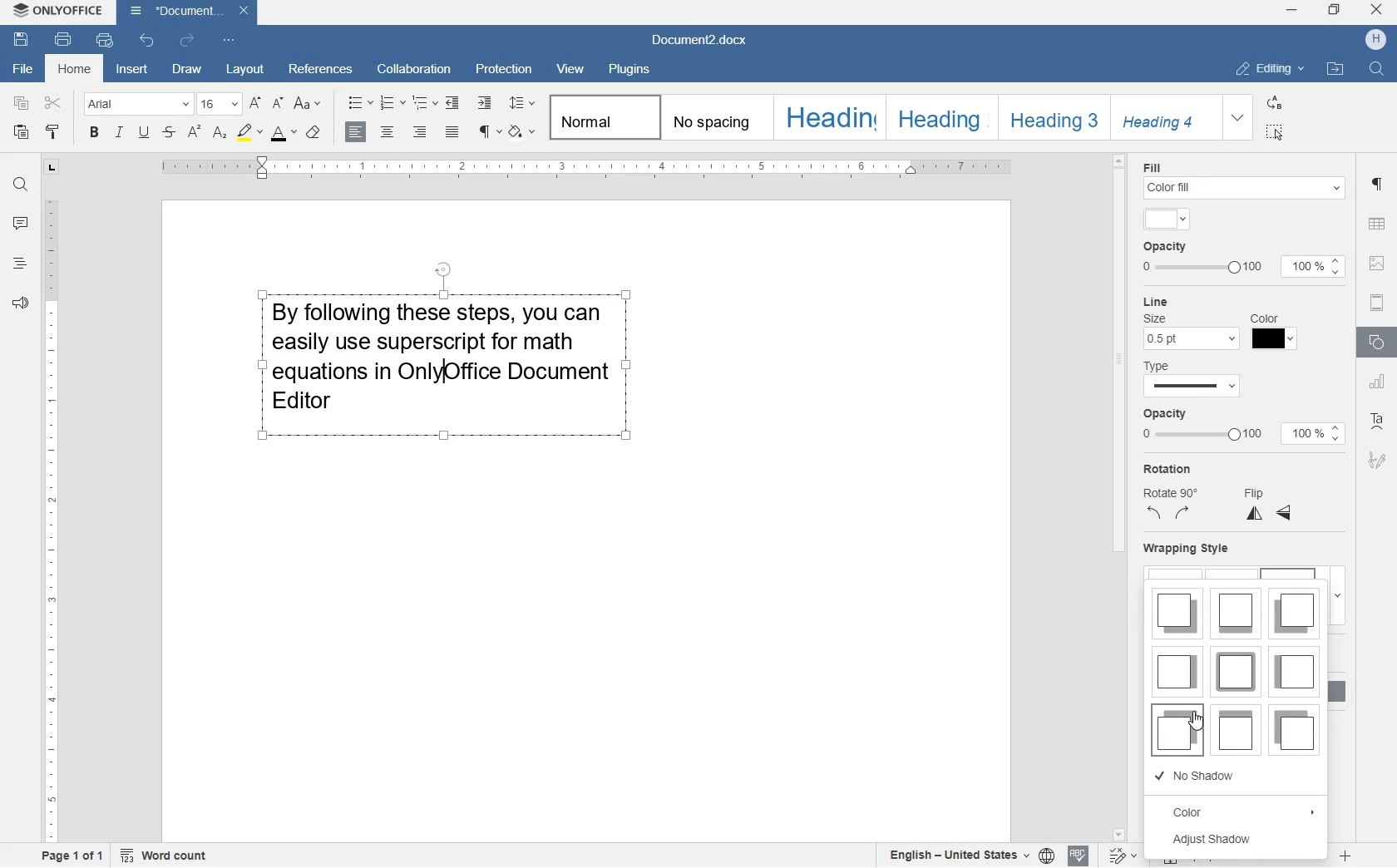  What do you see at coordinates (1335, 11) in the screenshot?
I see `restore` at bounding box center [1335, 11].